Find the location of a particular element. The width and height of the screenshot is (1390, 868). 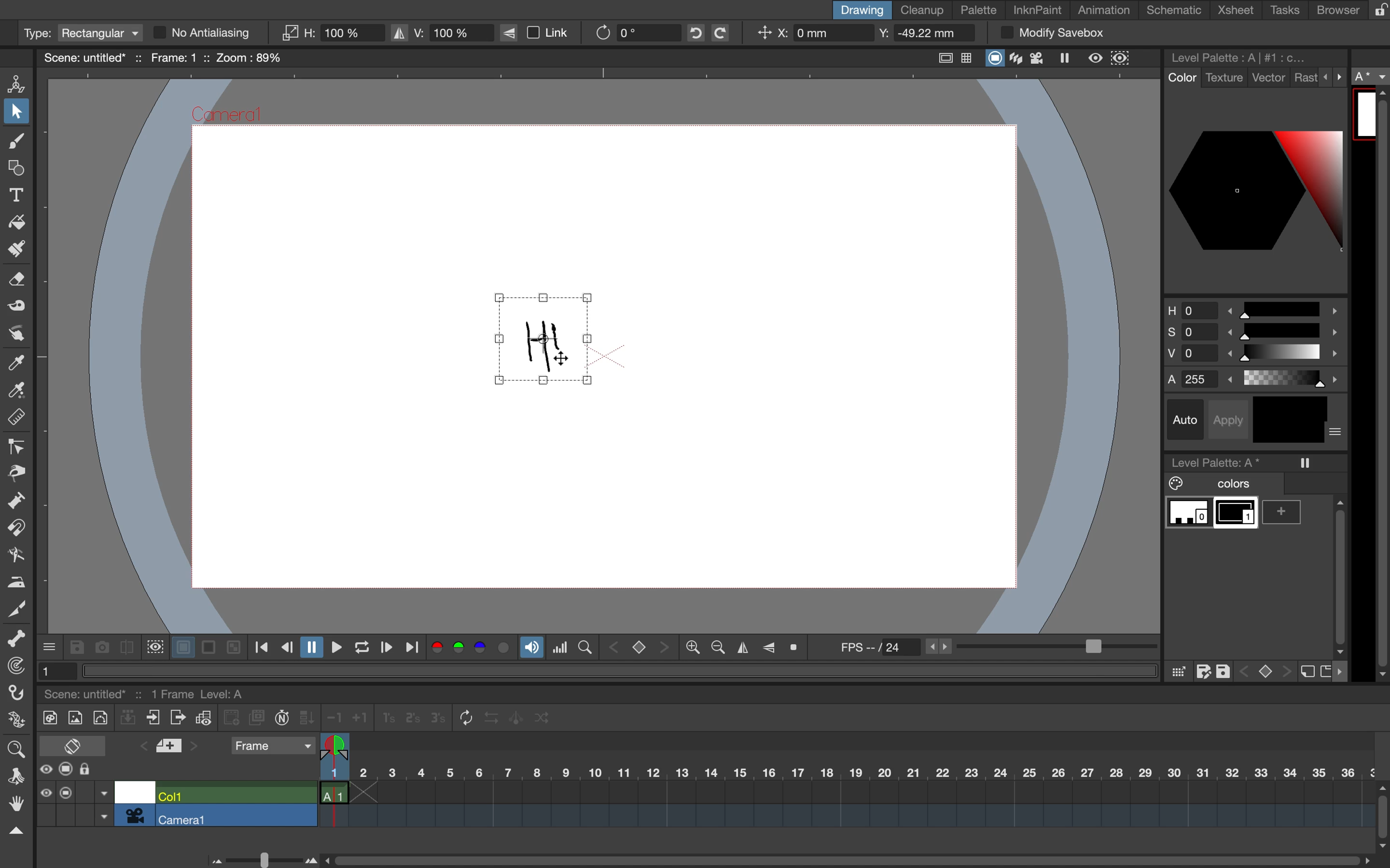

ruler tool is located at coordinates (17, 419).